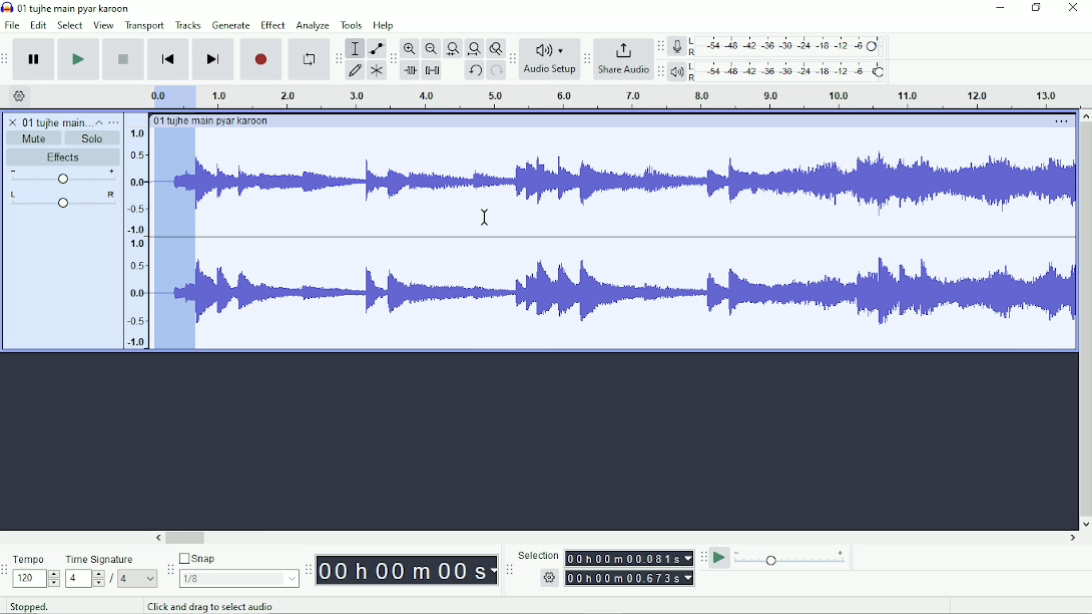 This screenshot has height=614, width=1092. What do you see at coordinates (78, 8) in the screenshot?
I see `01 tujhe main pyar karoon` at bounding box center [78, 8].